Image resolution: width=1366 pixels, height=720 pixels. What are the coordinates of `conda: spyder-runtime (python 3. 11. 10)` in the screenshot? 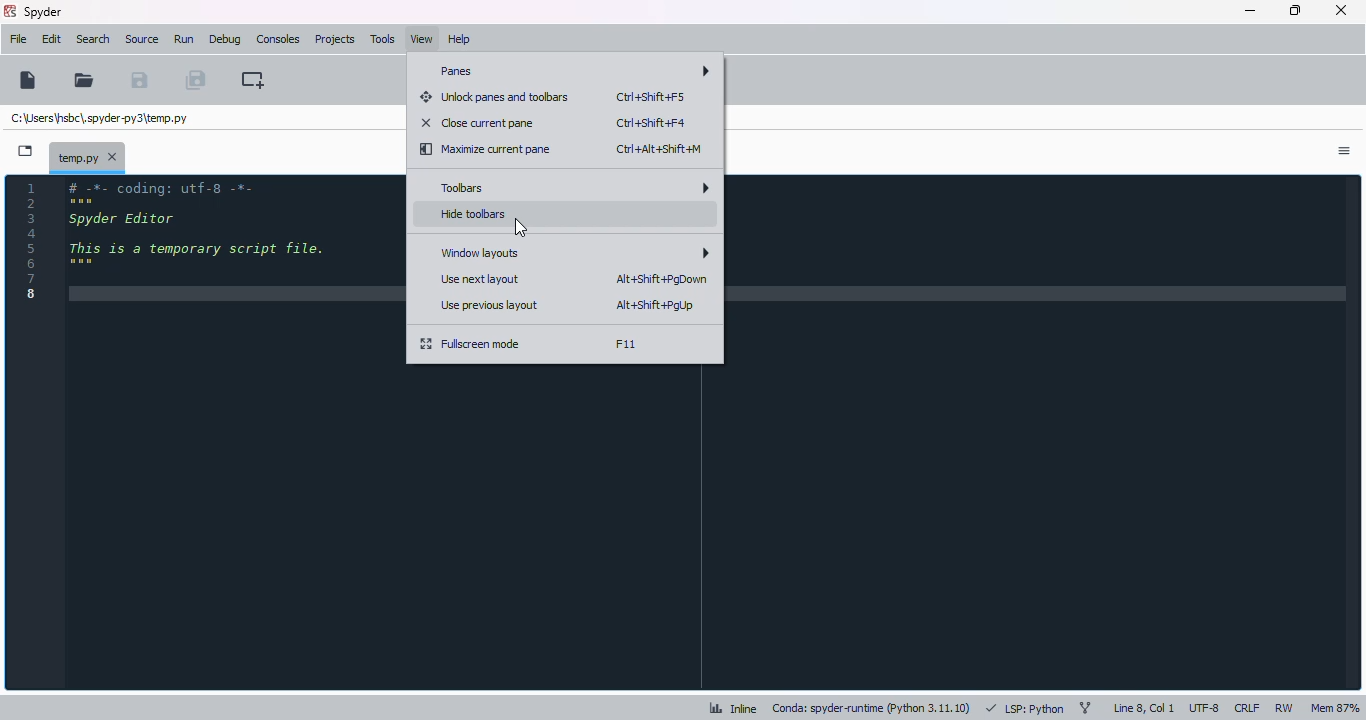 It's located at (871, 709).